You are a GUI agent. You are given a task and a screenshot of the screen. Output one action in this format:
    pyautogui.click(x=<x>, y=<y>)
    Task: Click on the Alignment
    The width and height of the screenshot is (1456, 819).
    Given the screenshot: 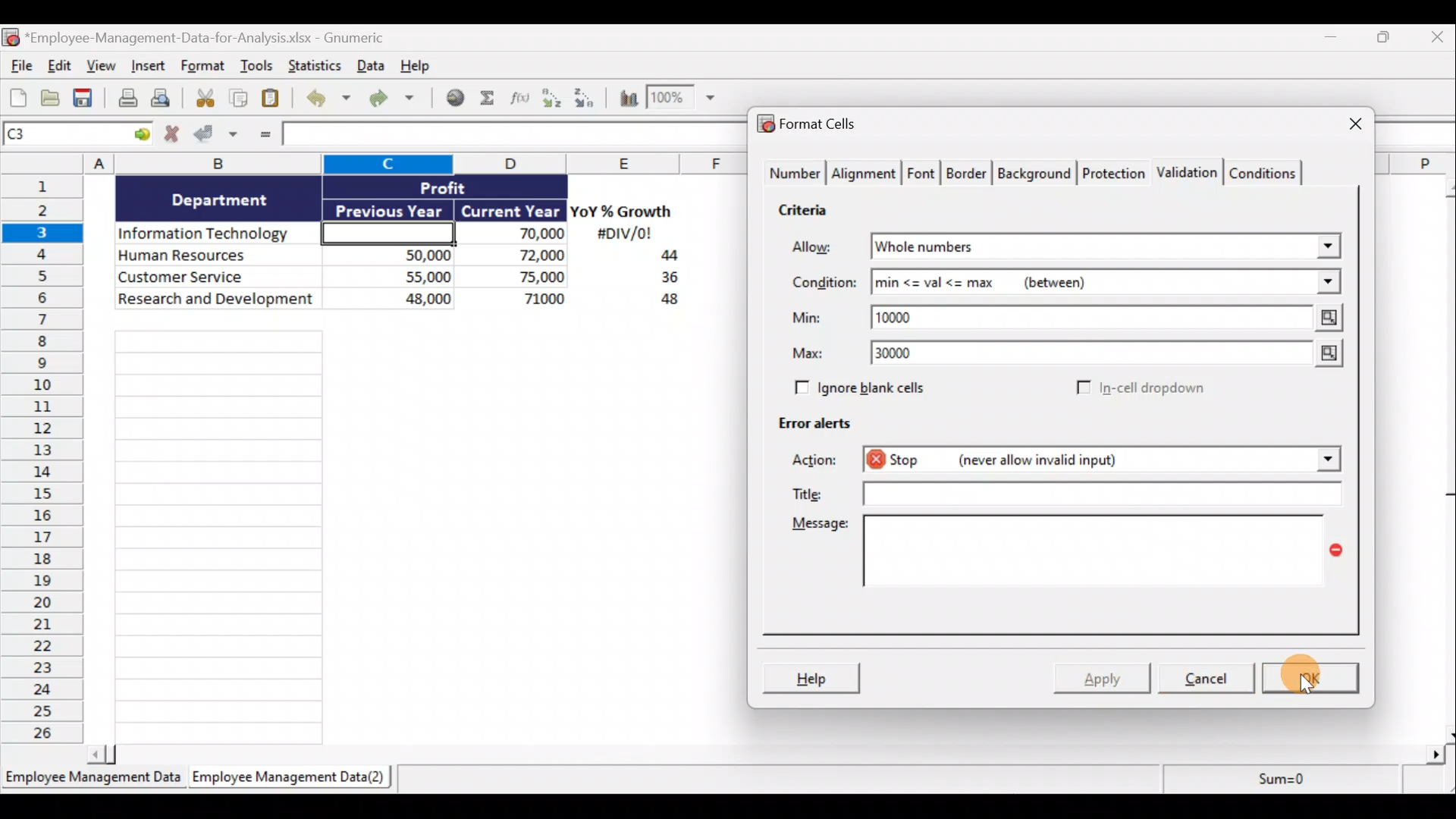 What is the action you would take?
    pyautogui.click(x=865, y=174)
    